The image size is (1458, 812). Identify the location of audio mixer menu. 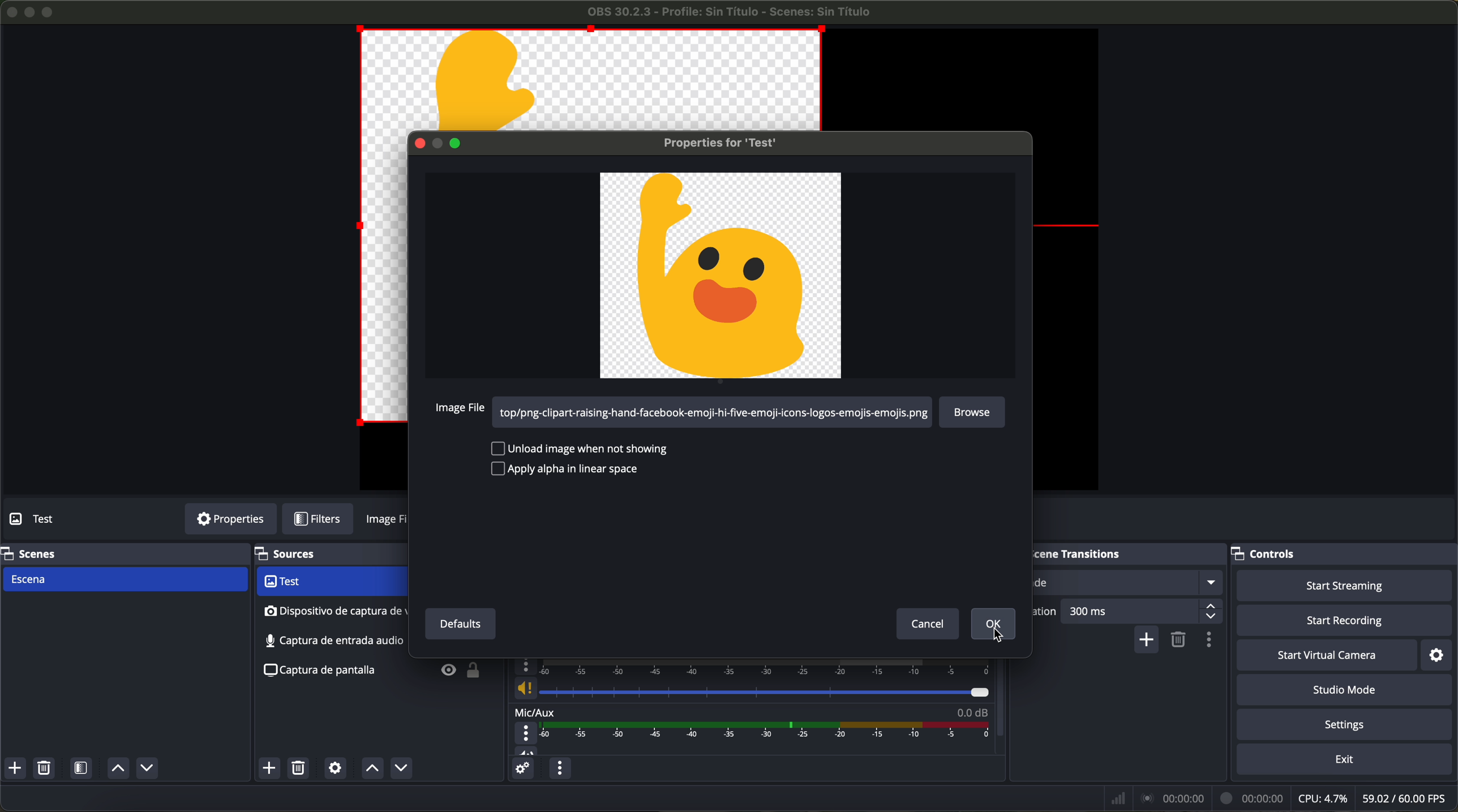
(559, 768).